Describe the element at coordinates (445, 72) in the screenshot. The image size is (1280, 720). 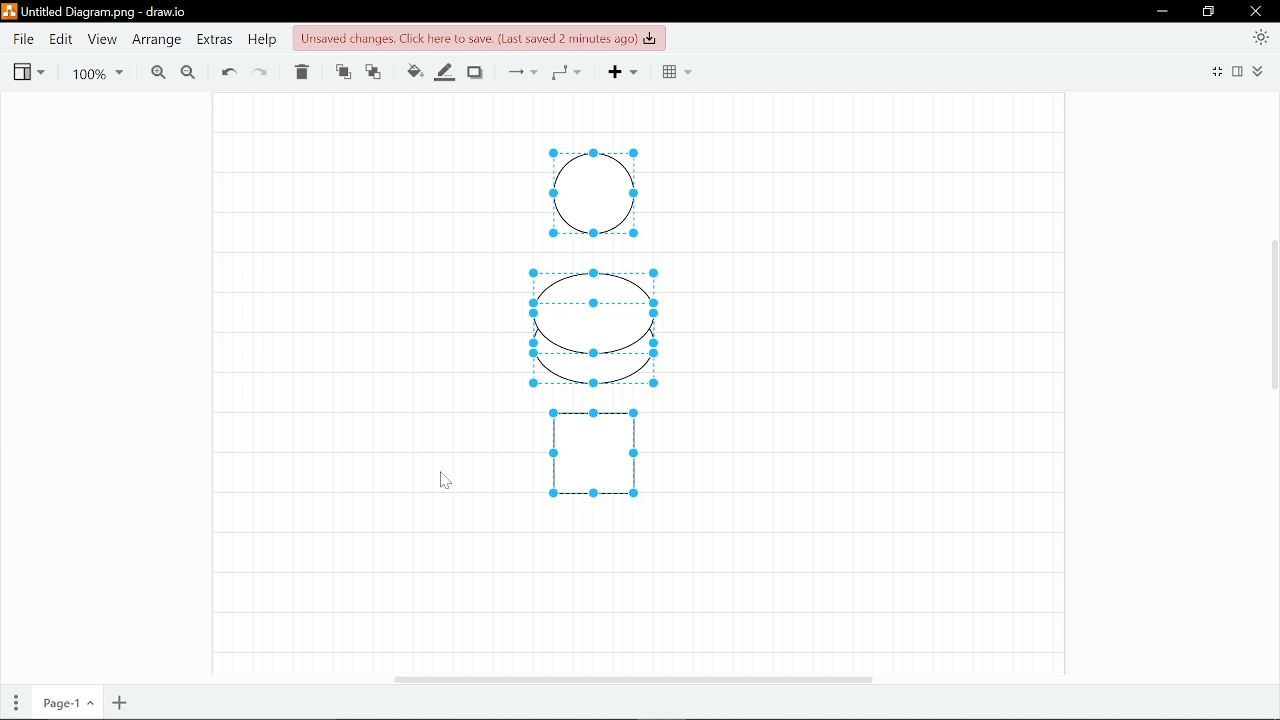
I see `Fill line` at that location.